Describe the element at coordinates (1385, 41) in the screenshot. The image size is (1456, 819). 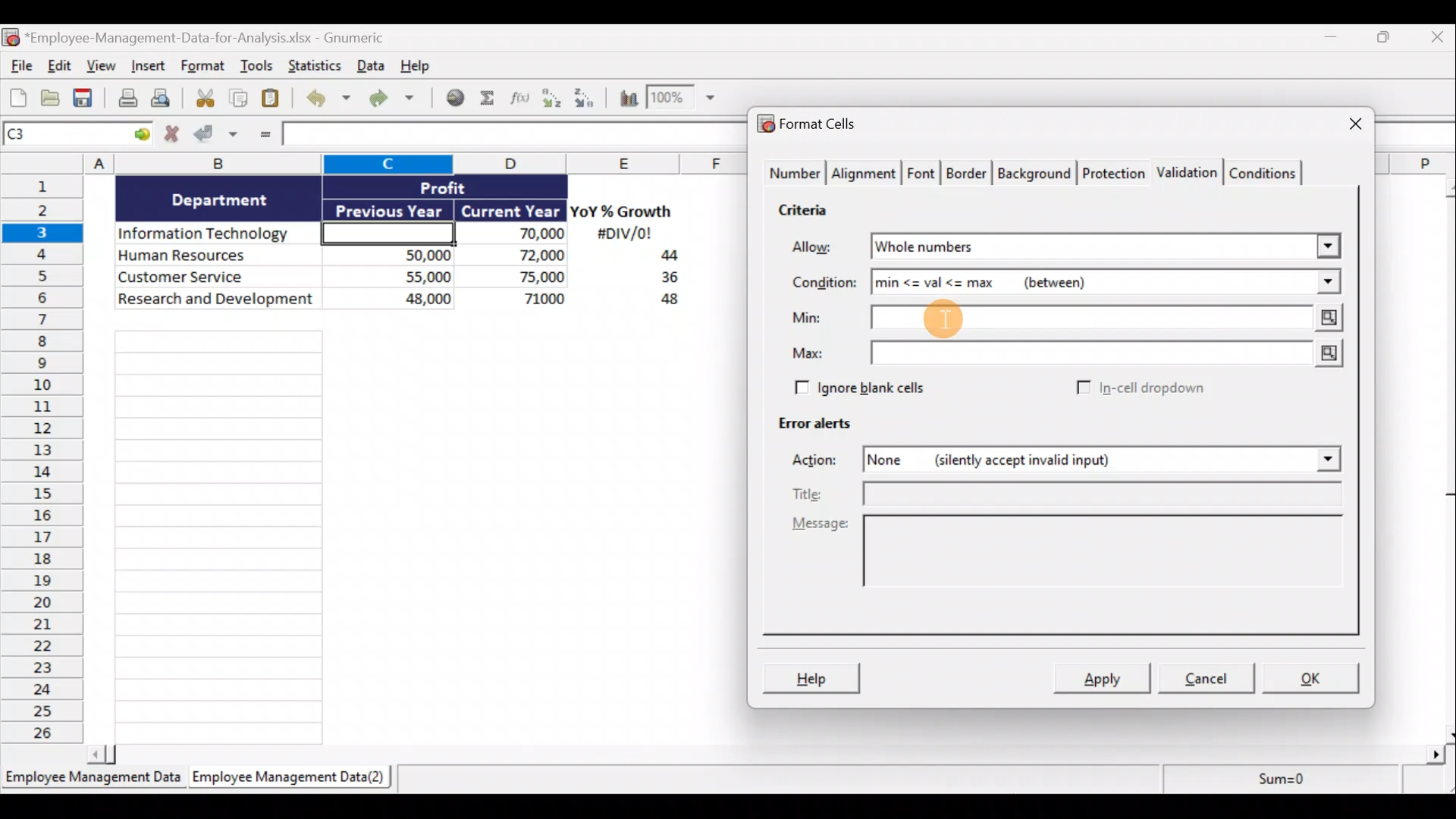
I see `Restore down` at that location.